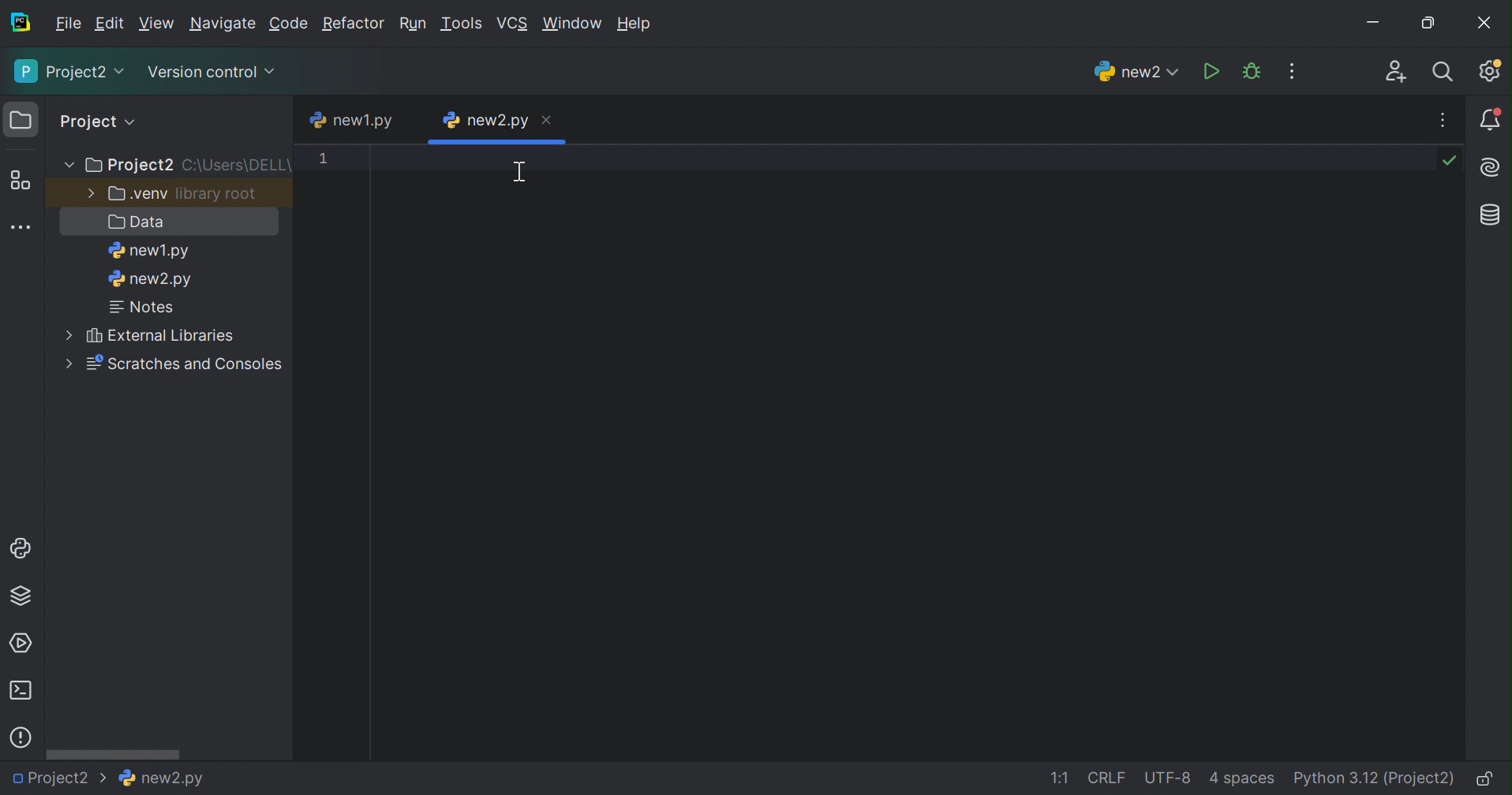  What do you see at coordinates (152, 251) in the screenshot?
I see `new1.py` at bounding box center [152, 251].